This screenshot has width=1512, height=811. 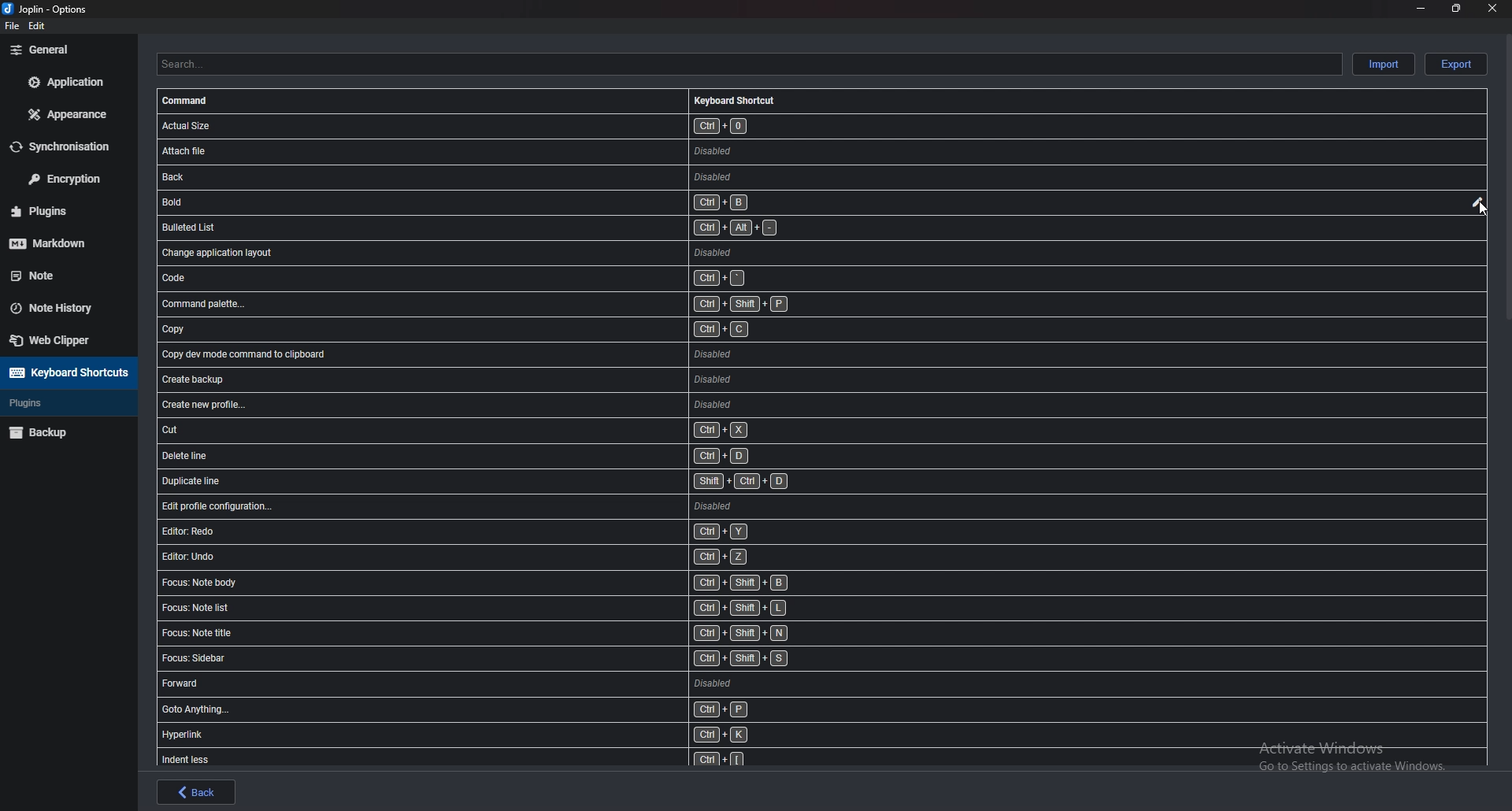 I want to click on Note, so click(x=58, y=273).